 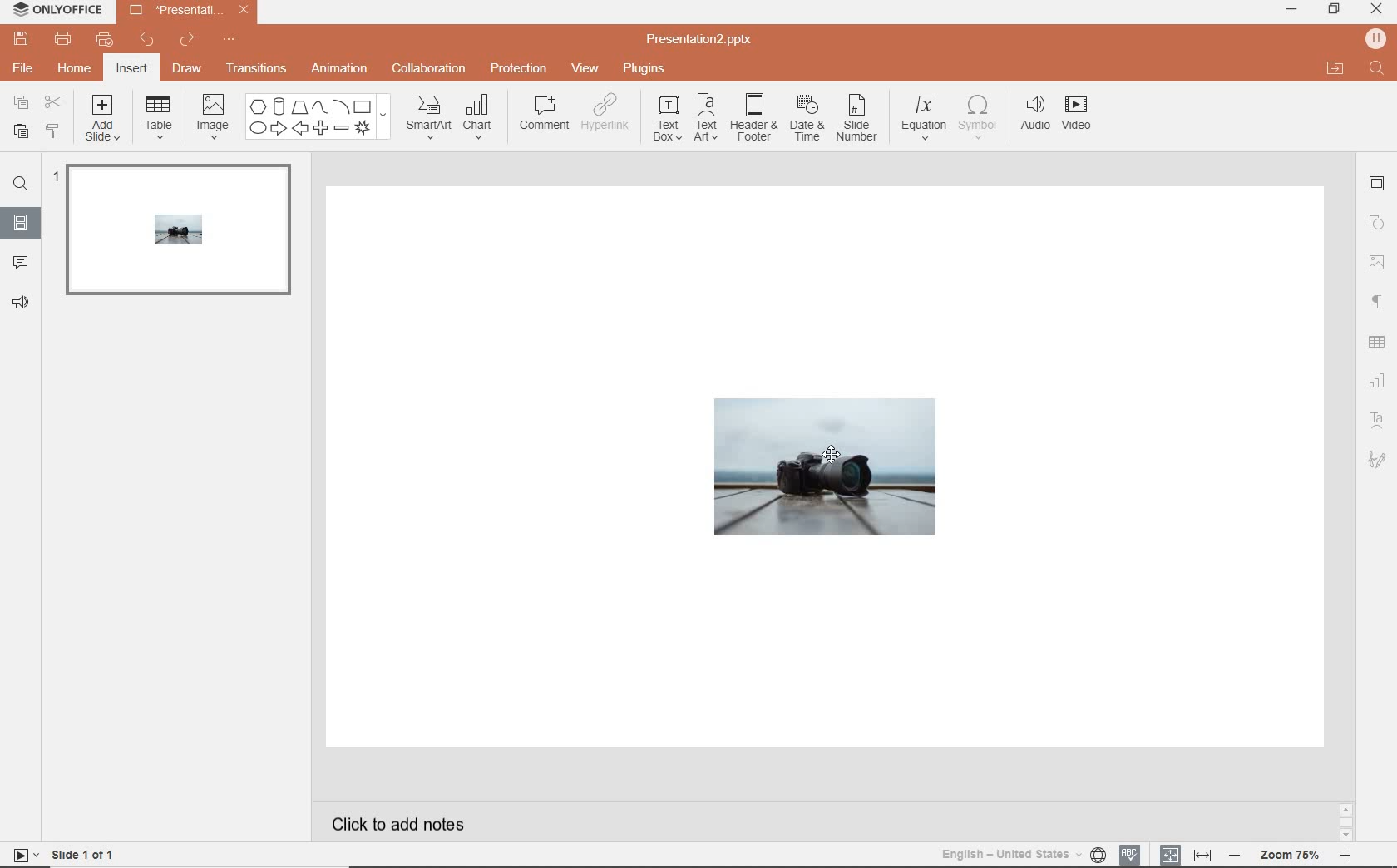 I want to click on smartart, so click(x=427, y=118).